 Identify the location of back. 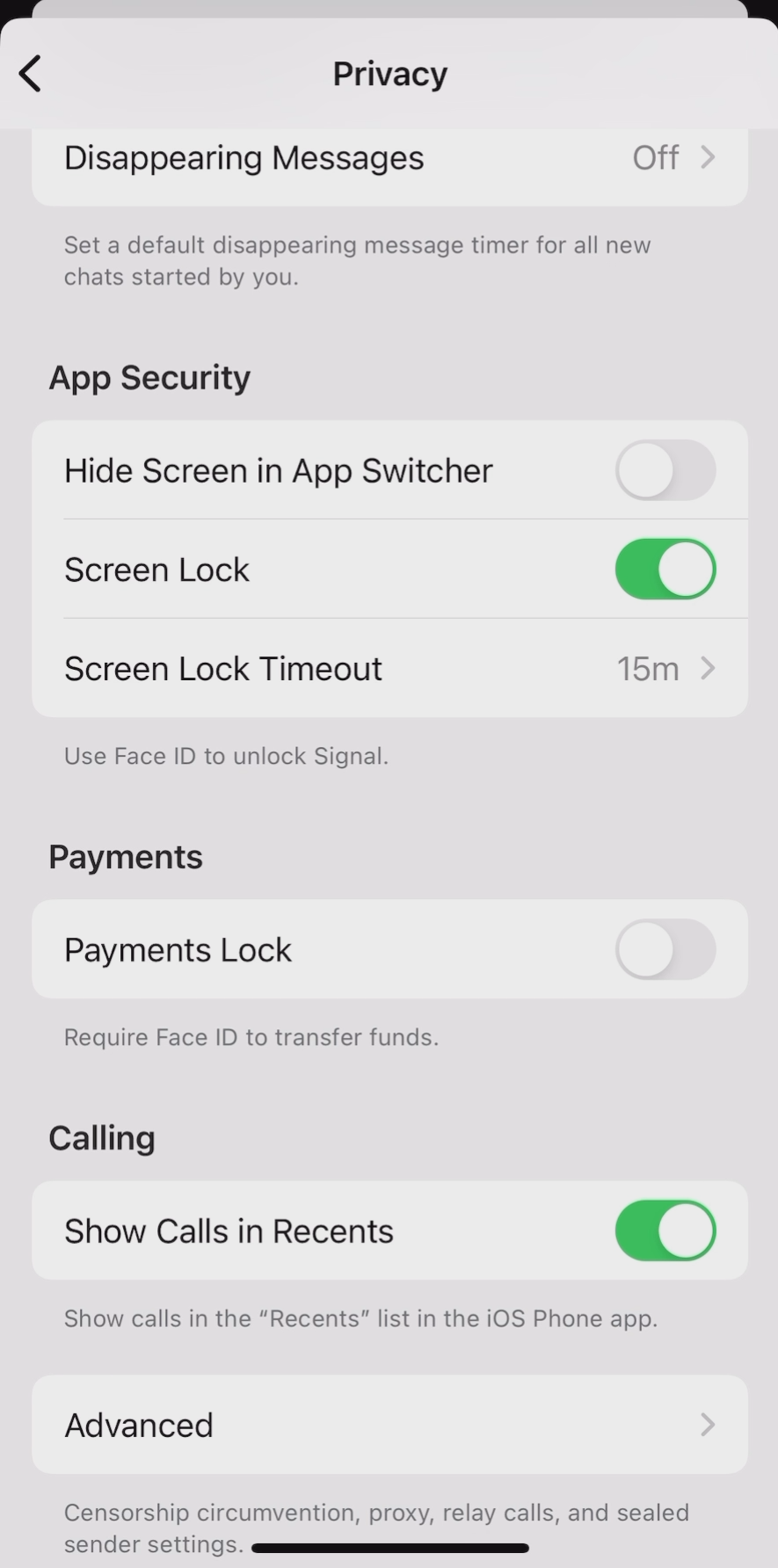
(33, 76).